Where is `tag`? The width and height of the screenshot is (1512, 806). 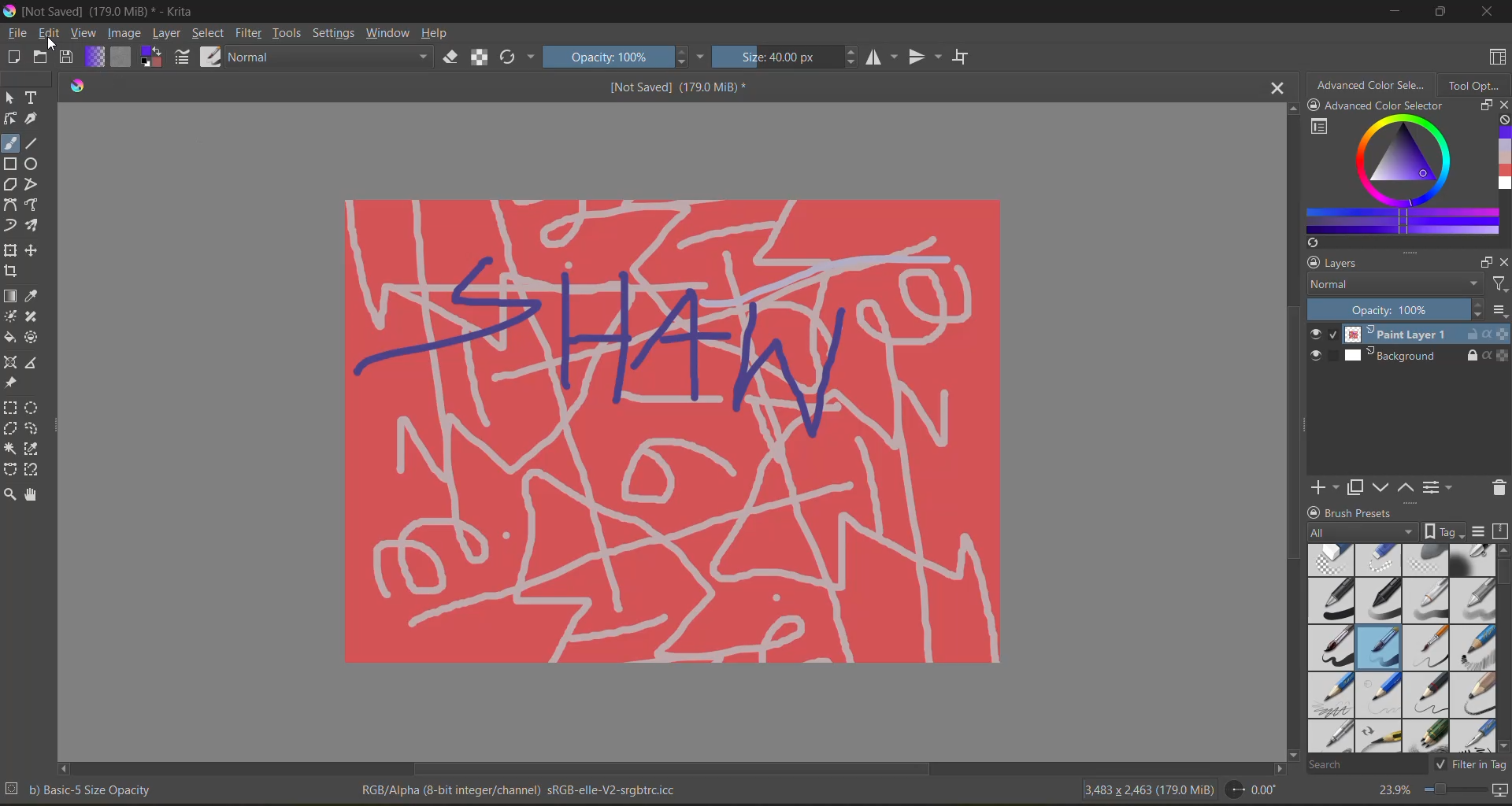
tag is located at coordinates (1363, 533).